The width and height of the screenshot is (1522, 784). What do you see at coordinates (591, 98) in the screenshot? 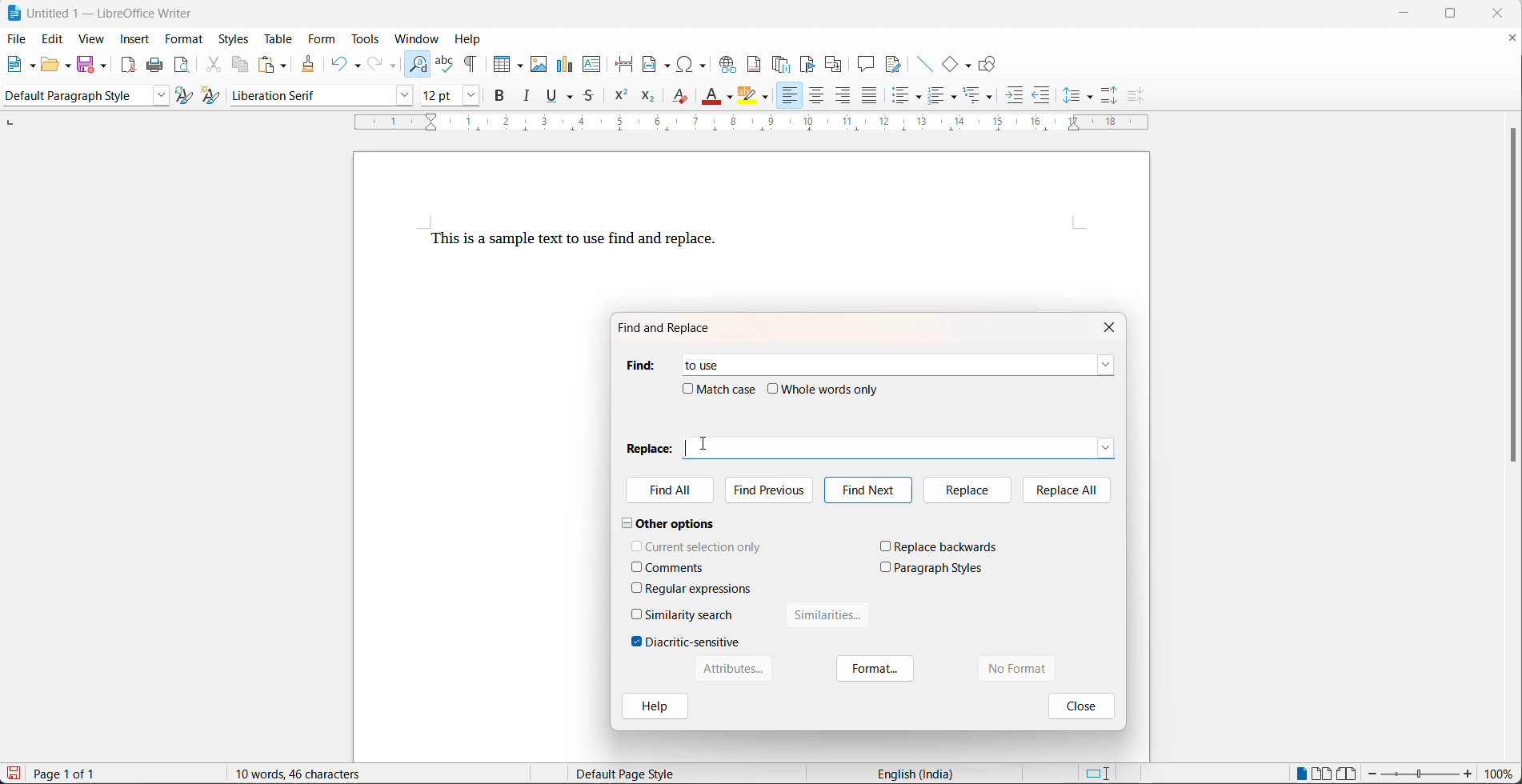
I see `strike through` at bounding box center [591, 98].